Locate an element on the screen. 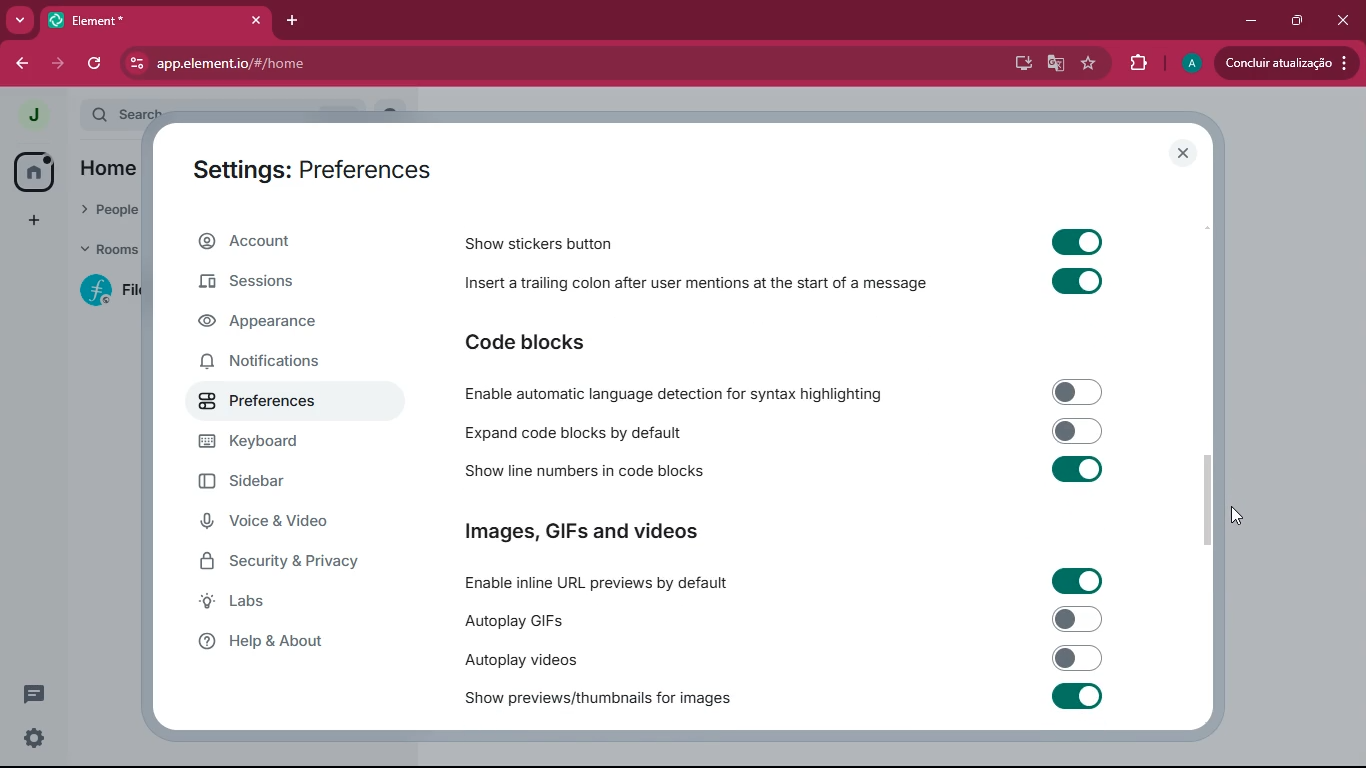  automatic is located at coordinates (680, 393).